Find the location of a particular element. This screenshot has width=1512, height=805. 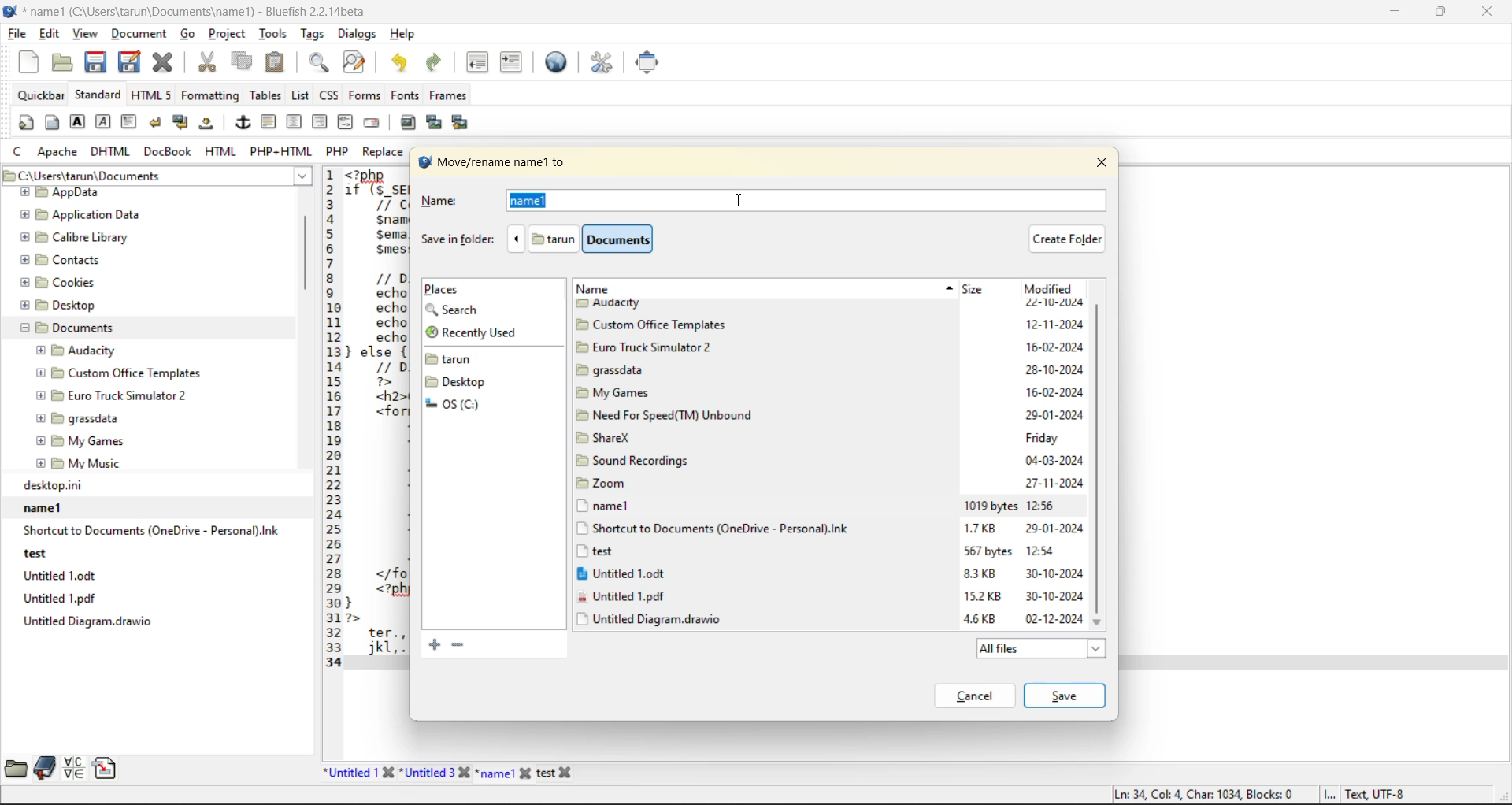

preview in browser is located at coordinates (560, 61).